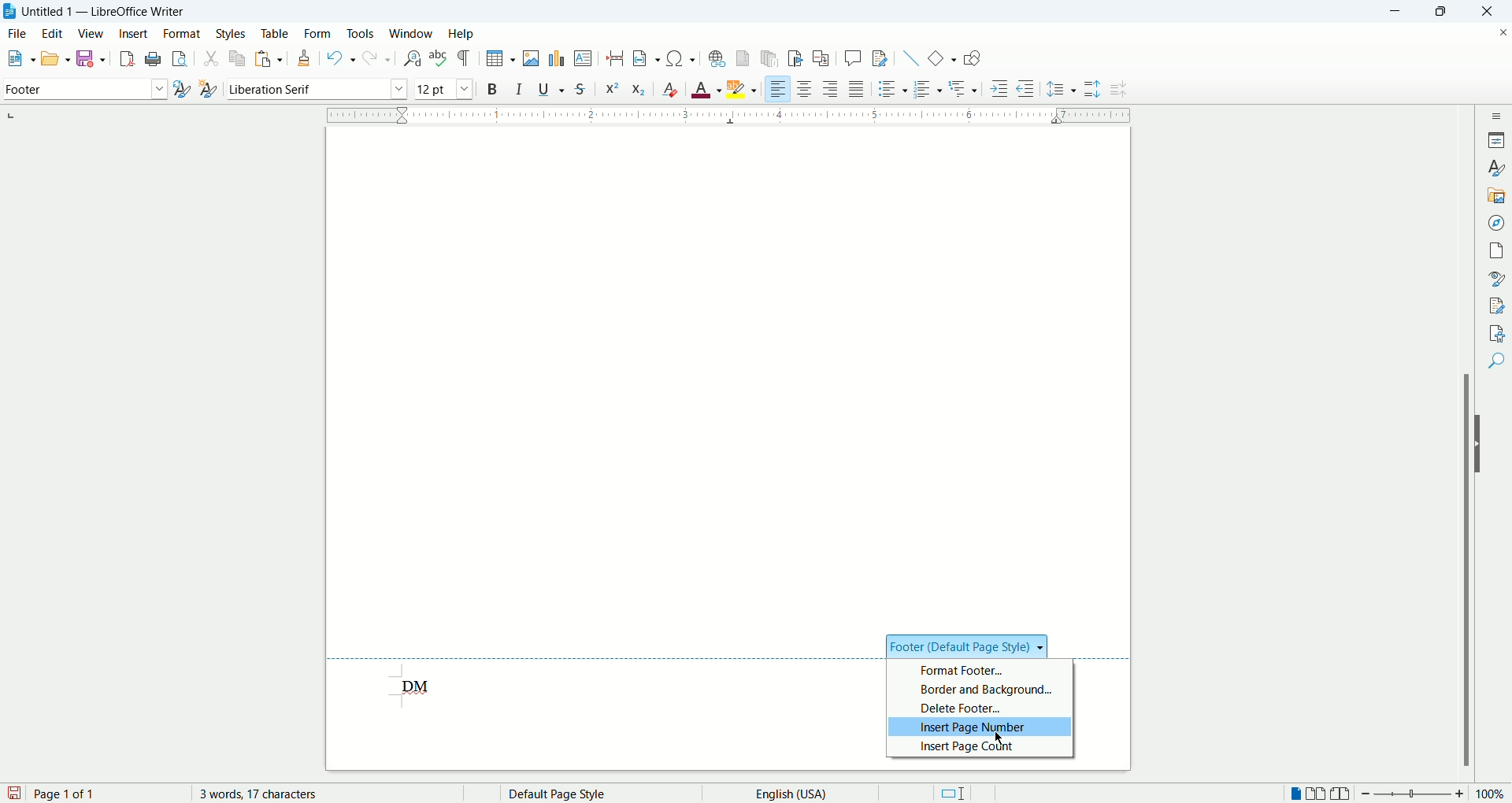 The height and width of the screenshot is (803, 1512). I want to click on cut, so click(211, 60).